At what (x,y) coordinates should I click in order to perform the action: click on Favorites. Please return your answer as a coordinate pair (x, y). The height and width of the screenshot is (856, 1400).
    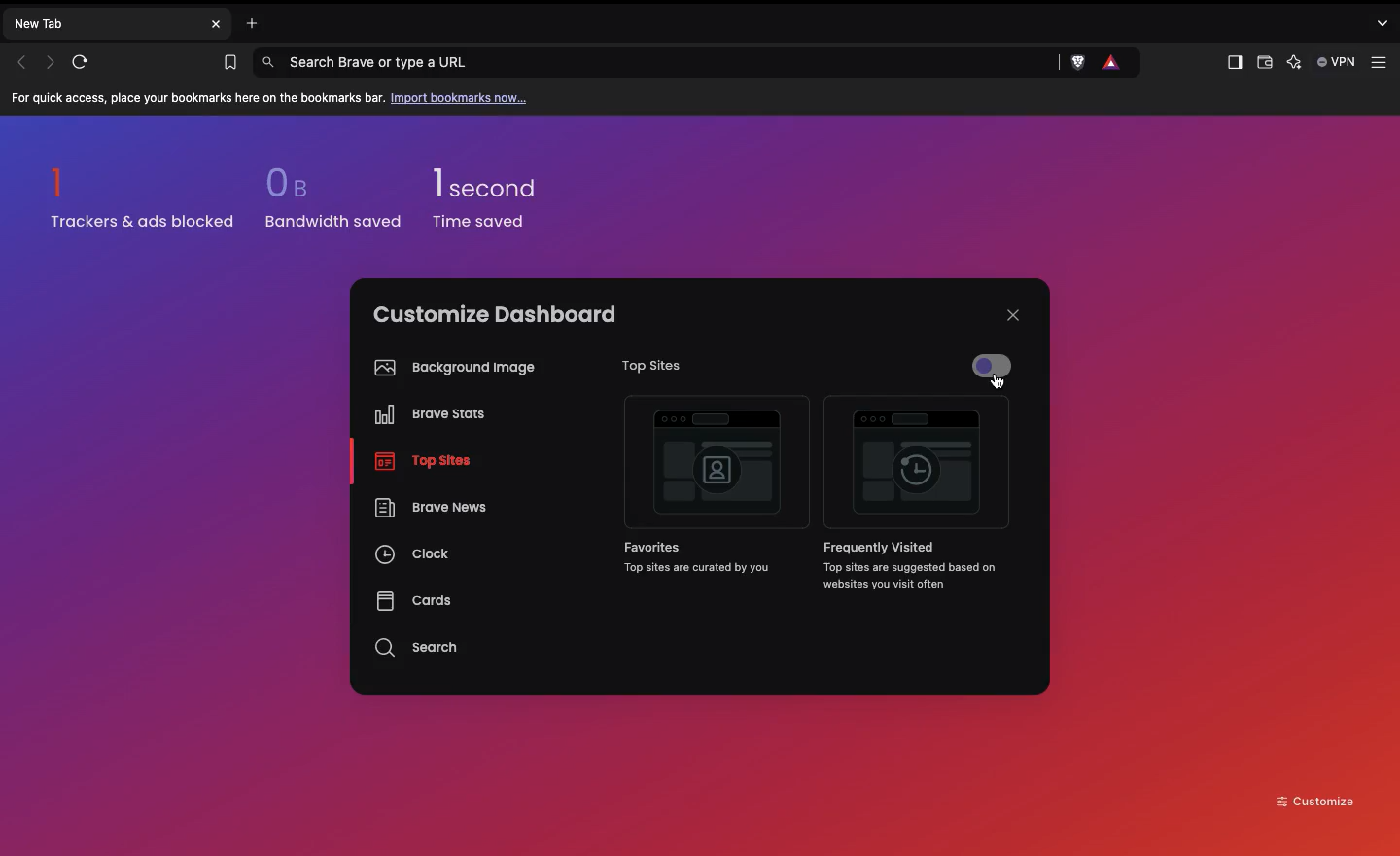
    Looking at the image, I should click on (716, 466).